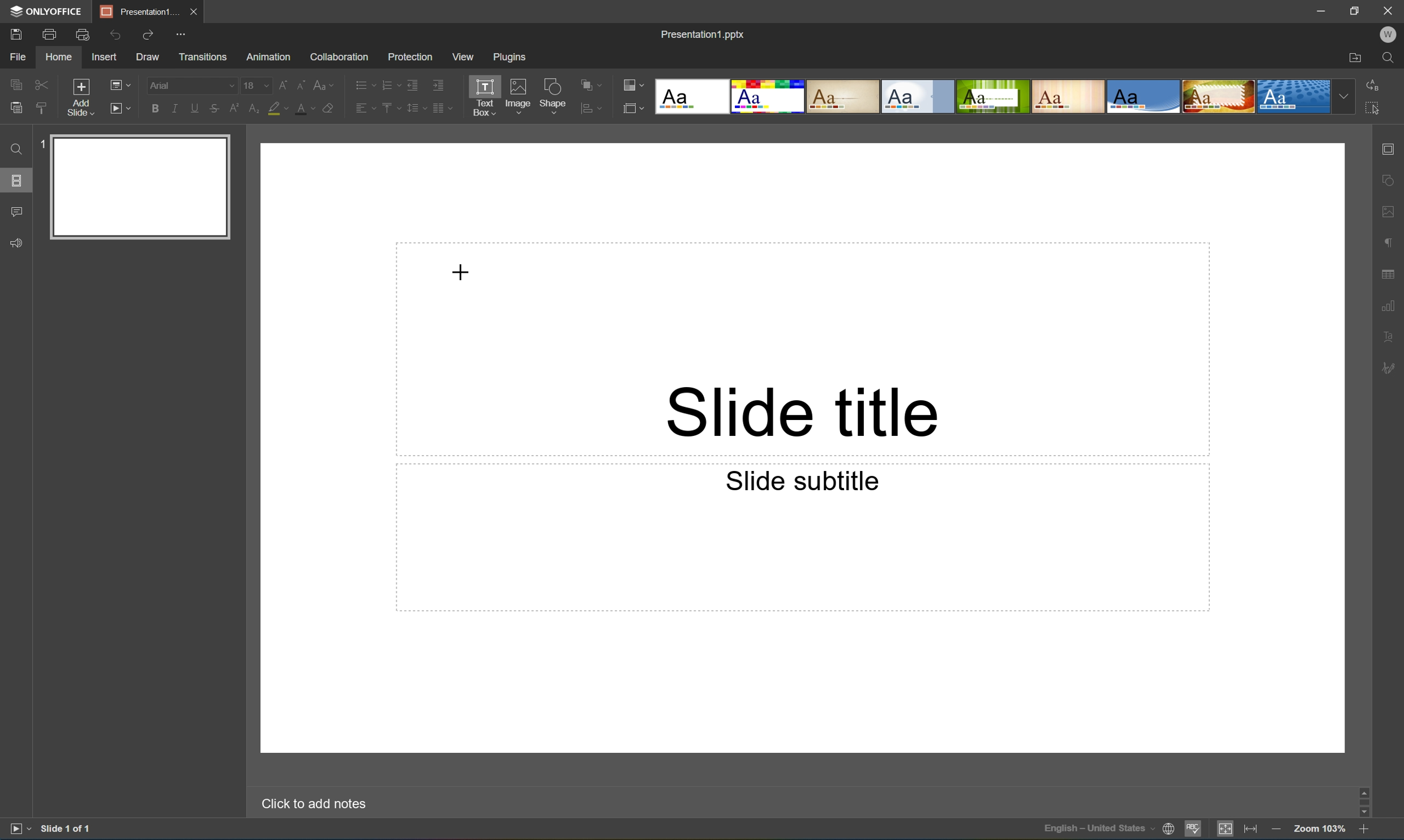 This screenshot has width=1404, height=840. I want to click on Superscript, so click(236, 109).